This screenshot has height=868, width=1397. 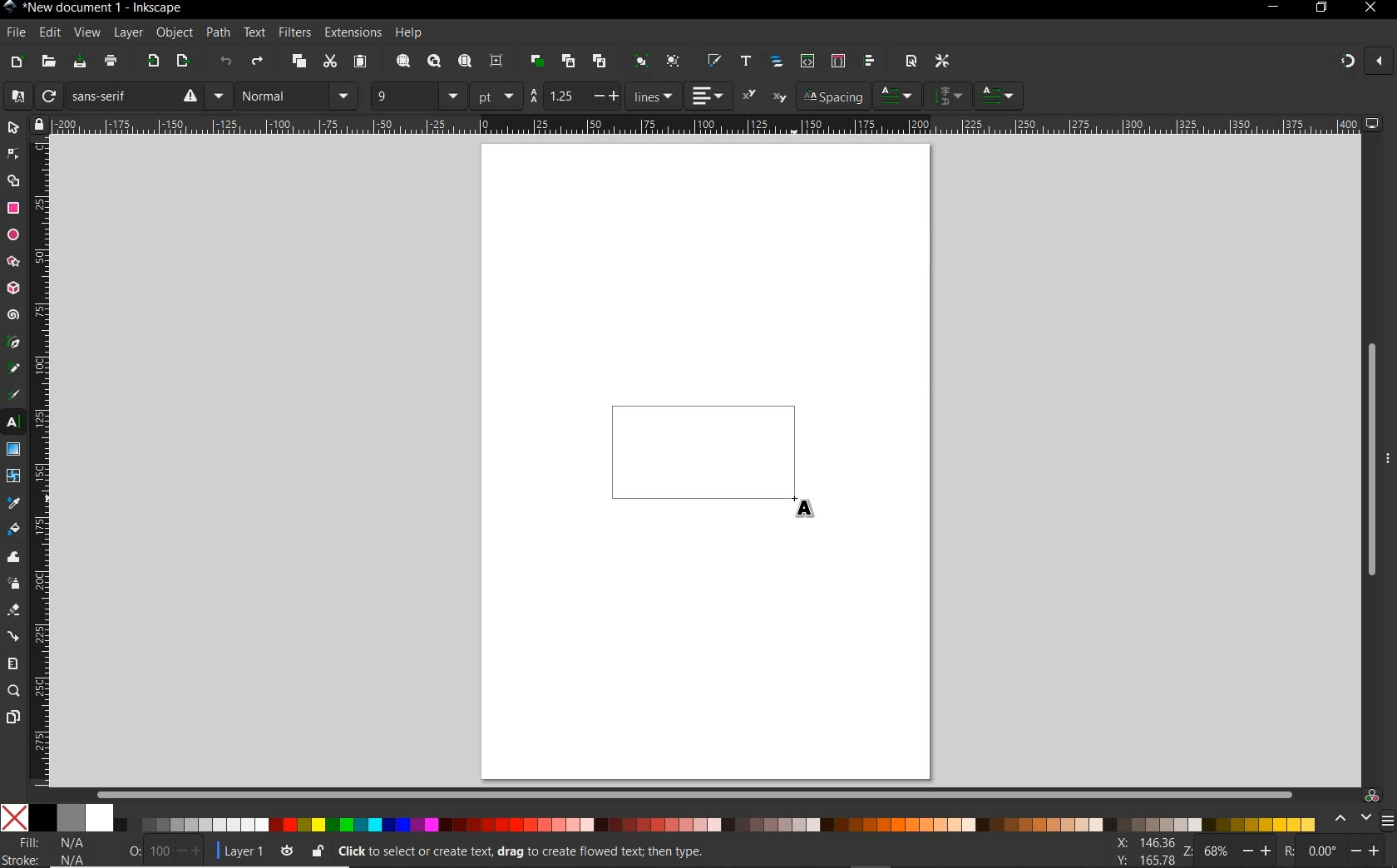 What do you see at coordinates (537, 58) in the screenshot?
I see `duplicate` at bounding box center [537, 58].